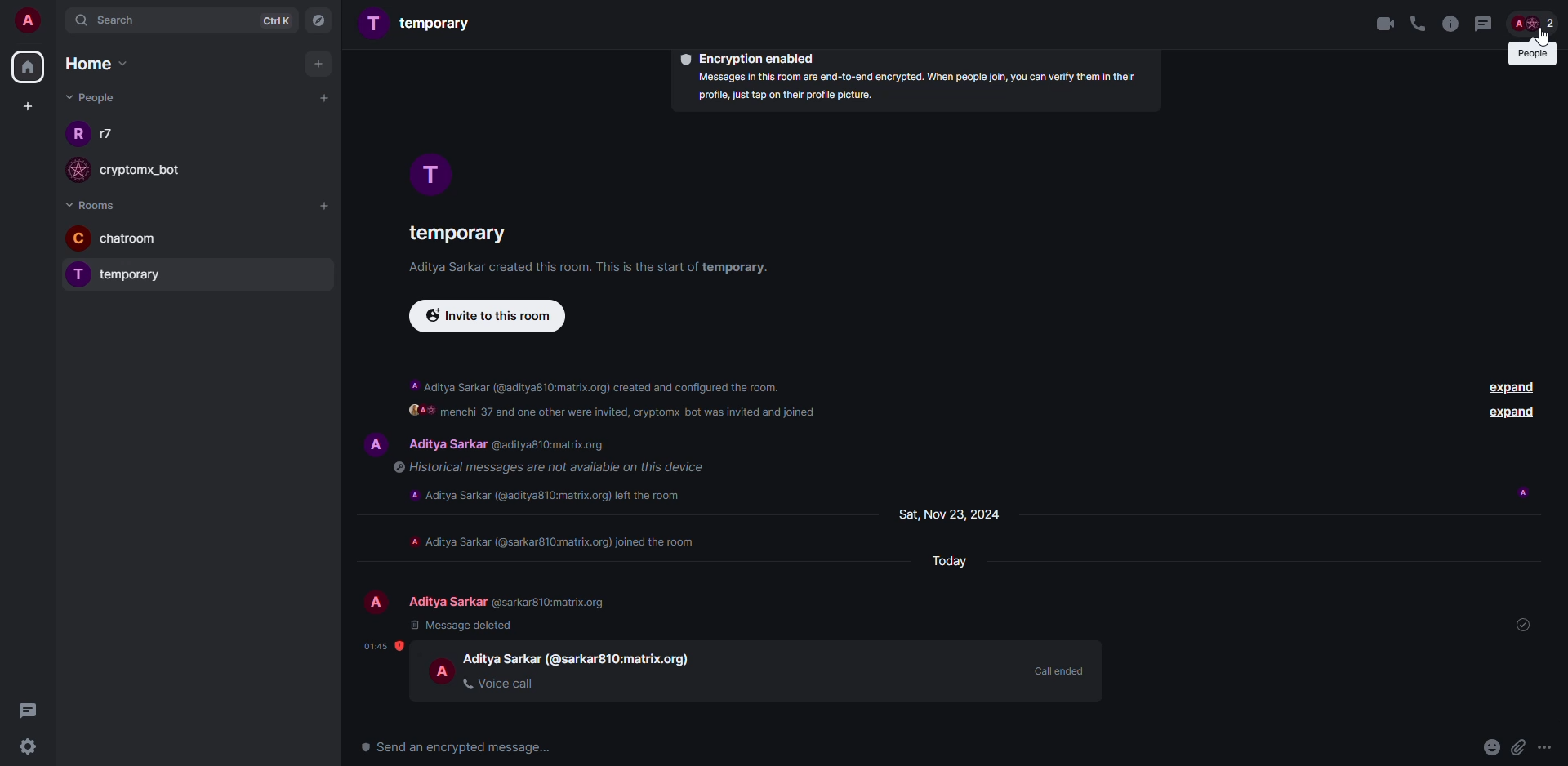  I want to click on home, so click(29, 67).